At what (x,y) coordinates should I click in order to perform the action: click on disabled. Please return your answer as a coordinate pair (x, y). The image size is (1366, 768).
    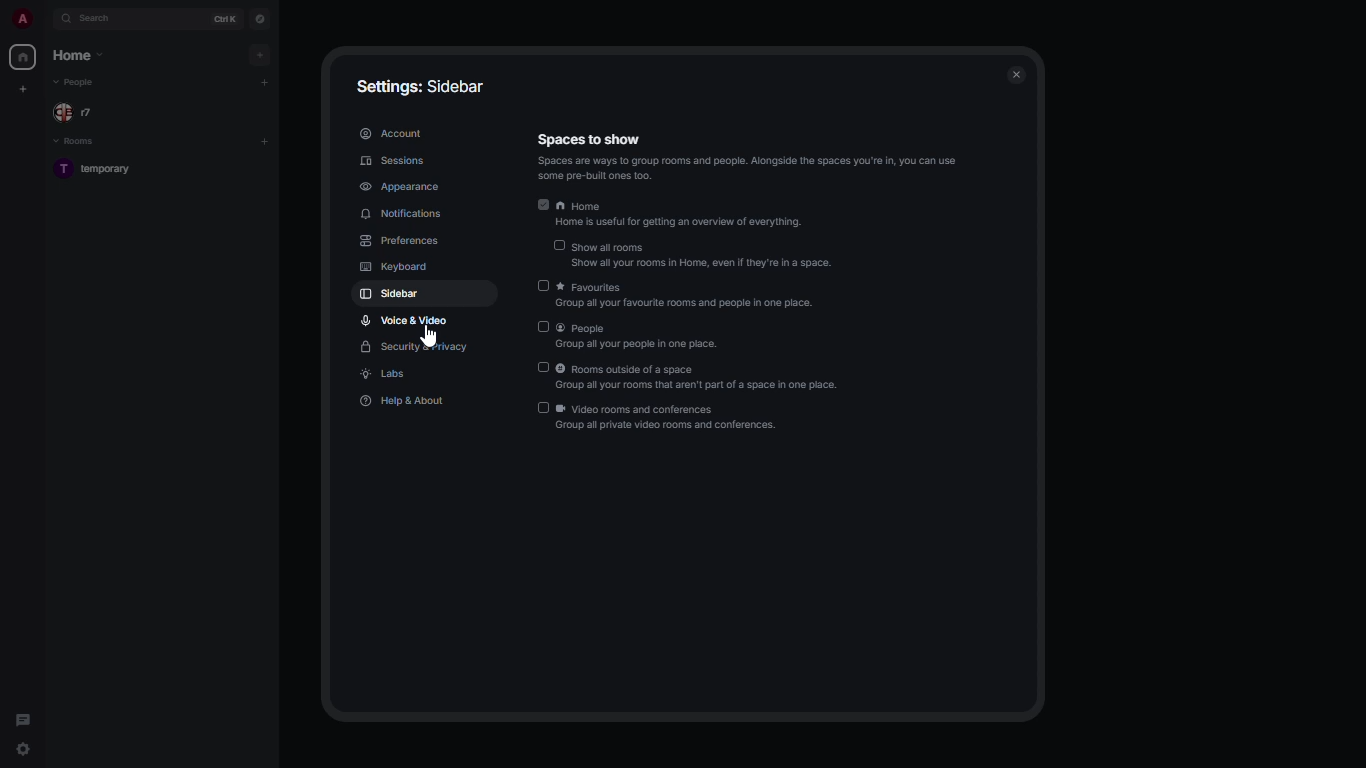
    Looking at the image, I should click on (561, 244).